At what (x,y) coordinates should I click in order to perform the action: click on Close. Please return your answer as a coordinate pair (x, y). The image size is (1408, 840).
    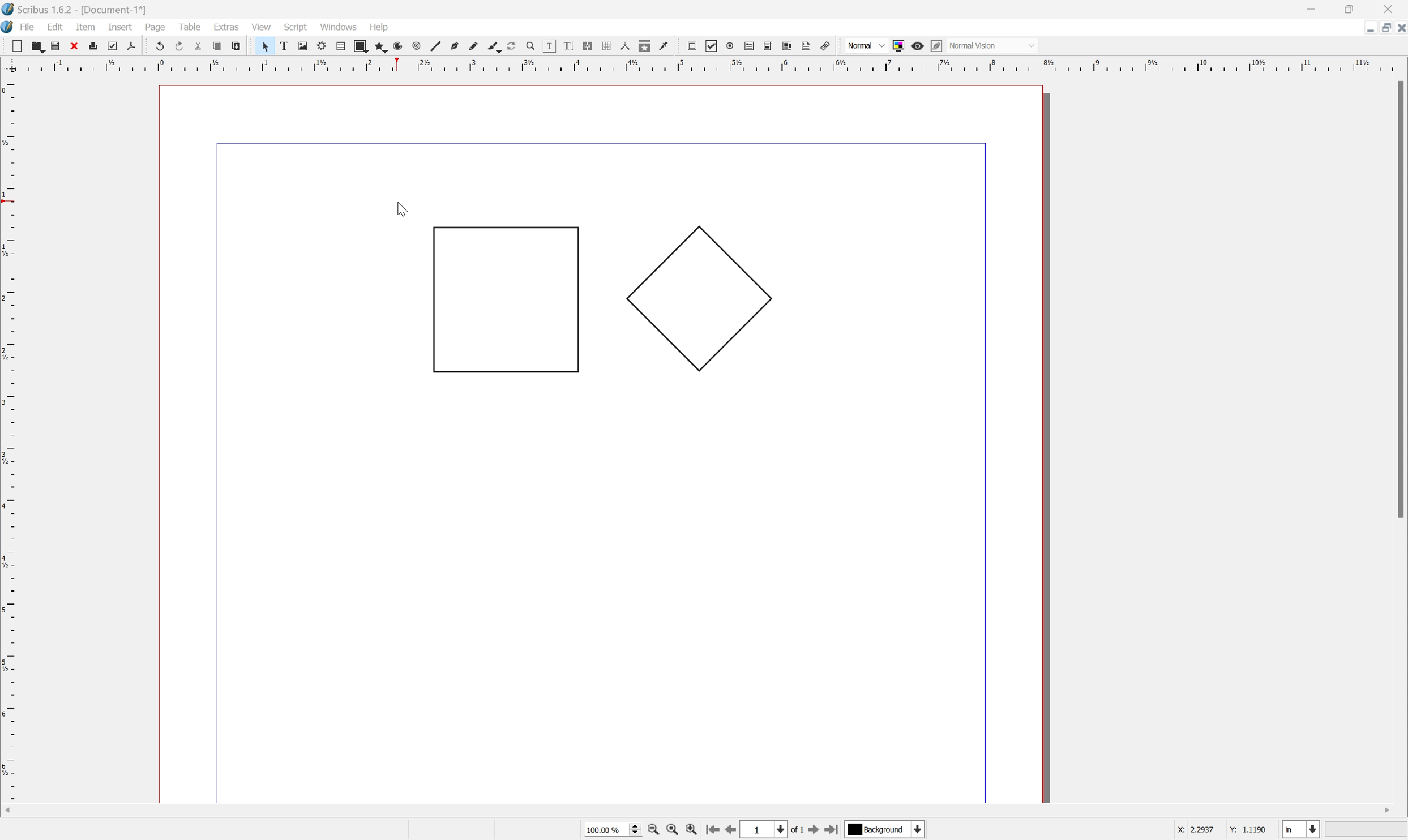
    Looking at the image, I should click on (1399, 27).